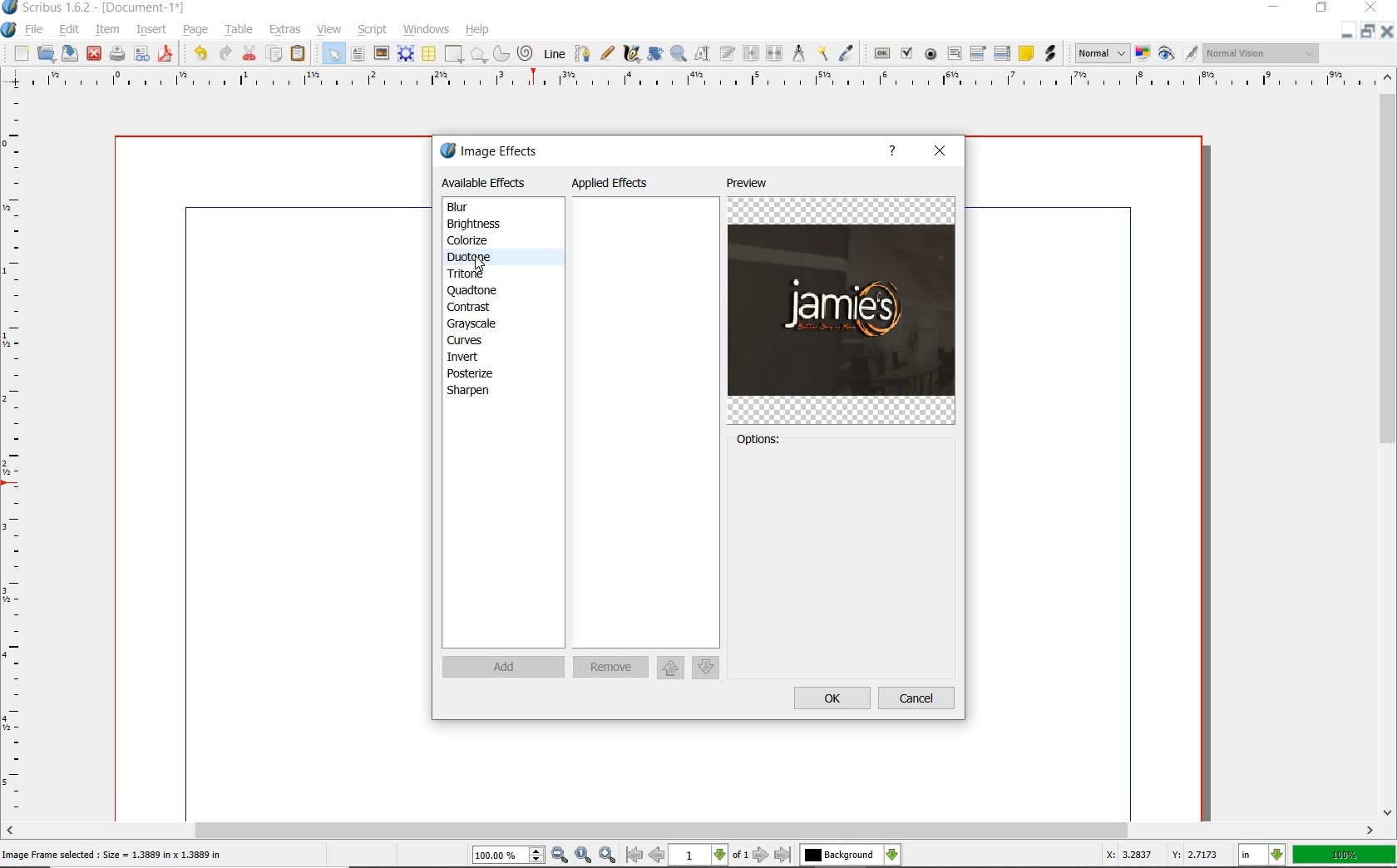 The width and height of the screenshot is (1397, 868). I want to click on RESTORE, so click(1322, 8).